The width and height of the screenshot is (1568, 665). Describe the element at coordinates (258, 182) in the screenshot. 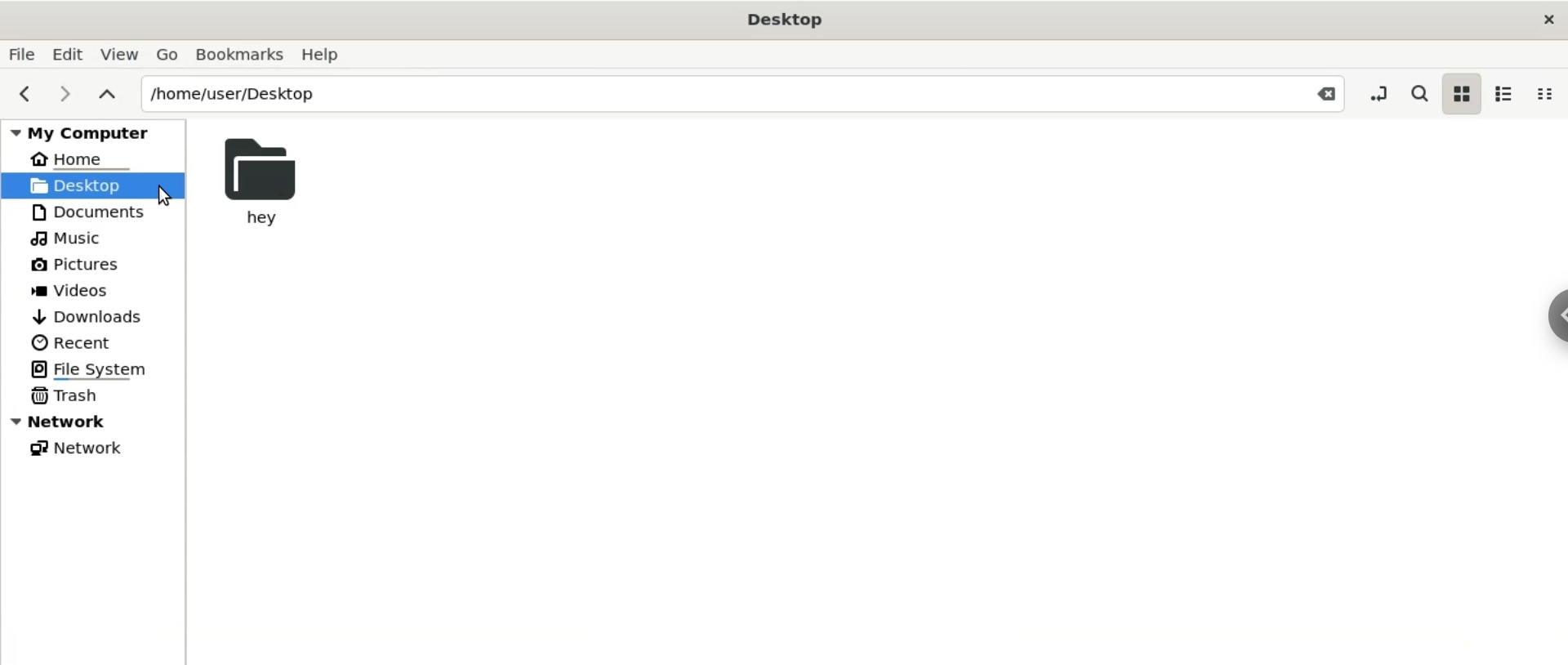

I see `hey` at that location.